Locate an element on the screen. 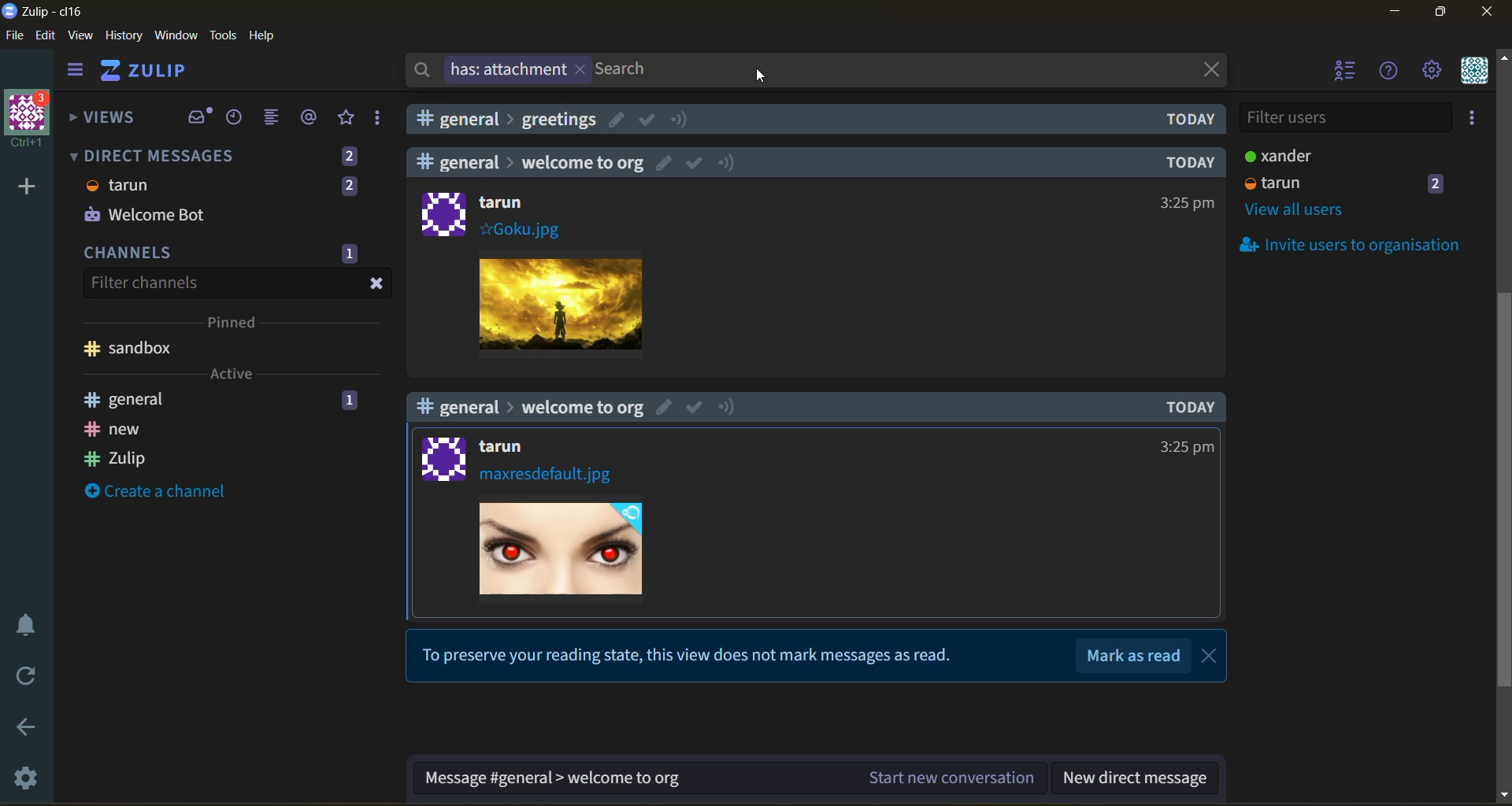 The height and width of the screenshot is (806, 1512). # new is located at coordinates (114, 430).